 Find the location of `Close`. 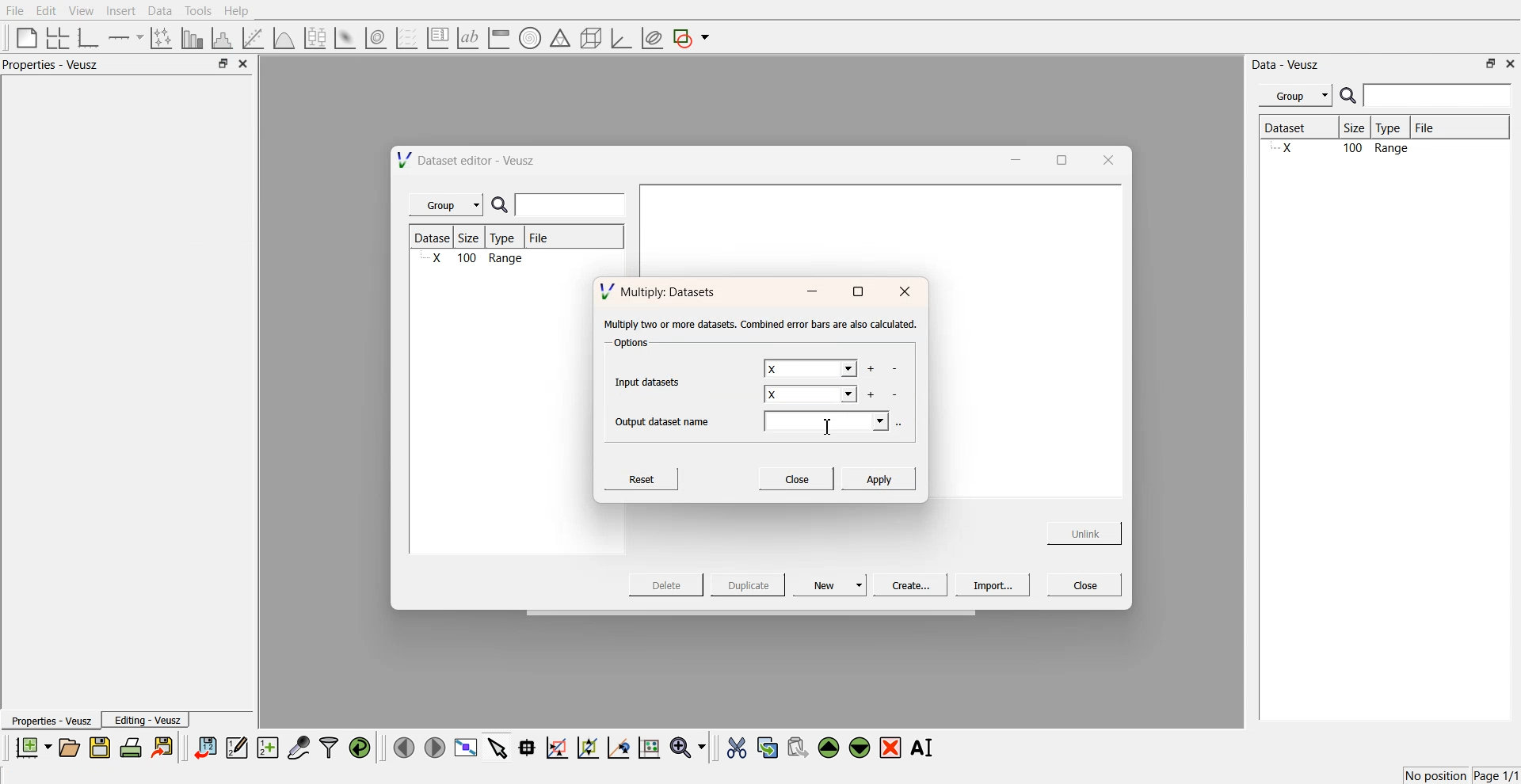

Close is located at coordinates (1085, 584).